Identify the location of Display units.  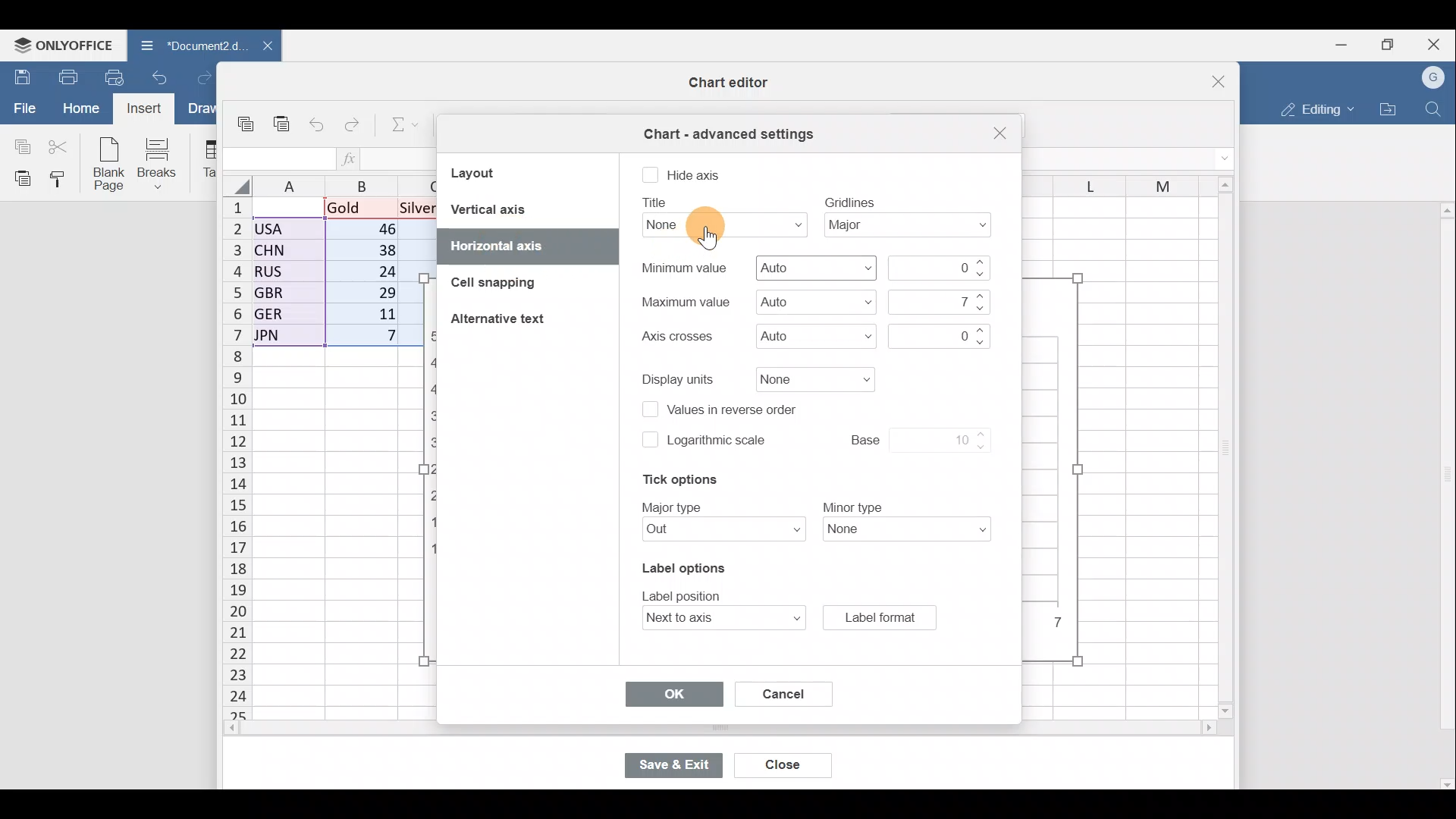
(810, 378).